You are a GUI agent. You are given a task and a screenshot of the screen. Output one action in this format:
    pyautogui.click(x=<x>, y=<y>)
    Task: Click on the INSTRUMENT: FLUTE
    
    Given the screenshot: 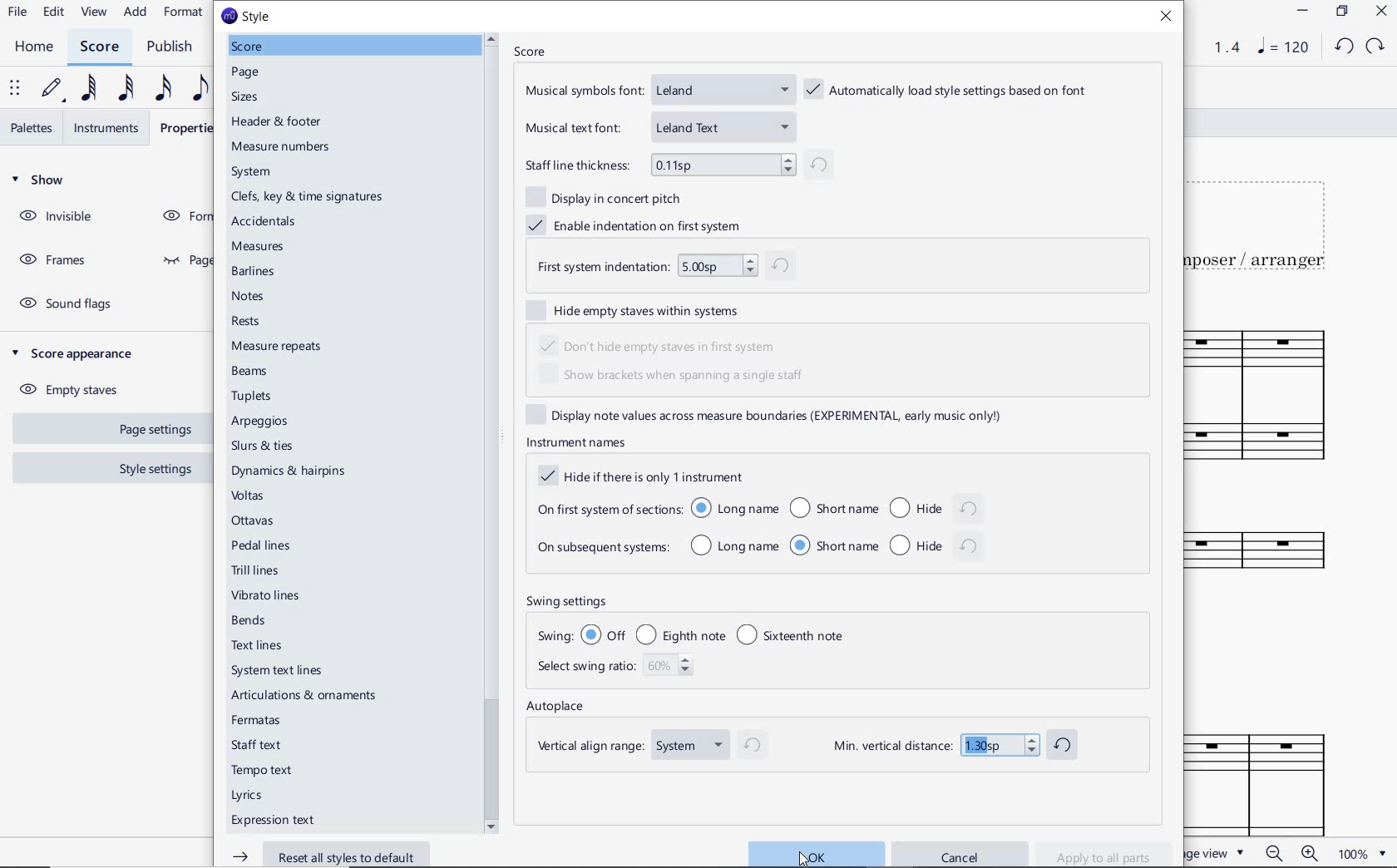 What is the action you would take?
    pyautogui.click(x=1266, y=560)
    